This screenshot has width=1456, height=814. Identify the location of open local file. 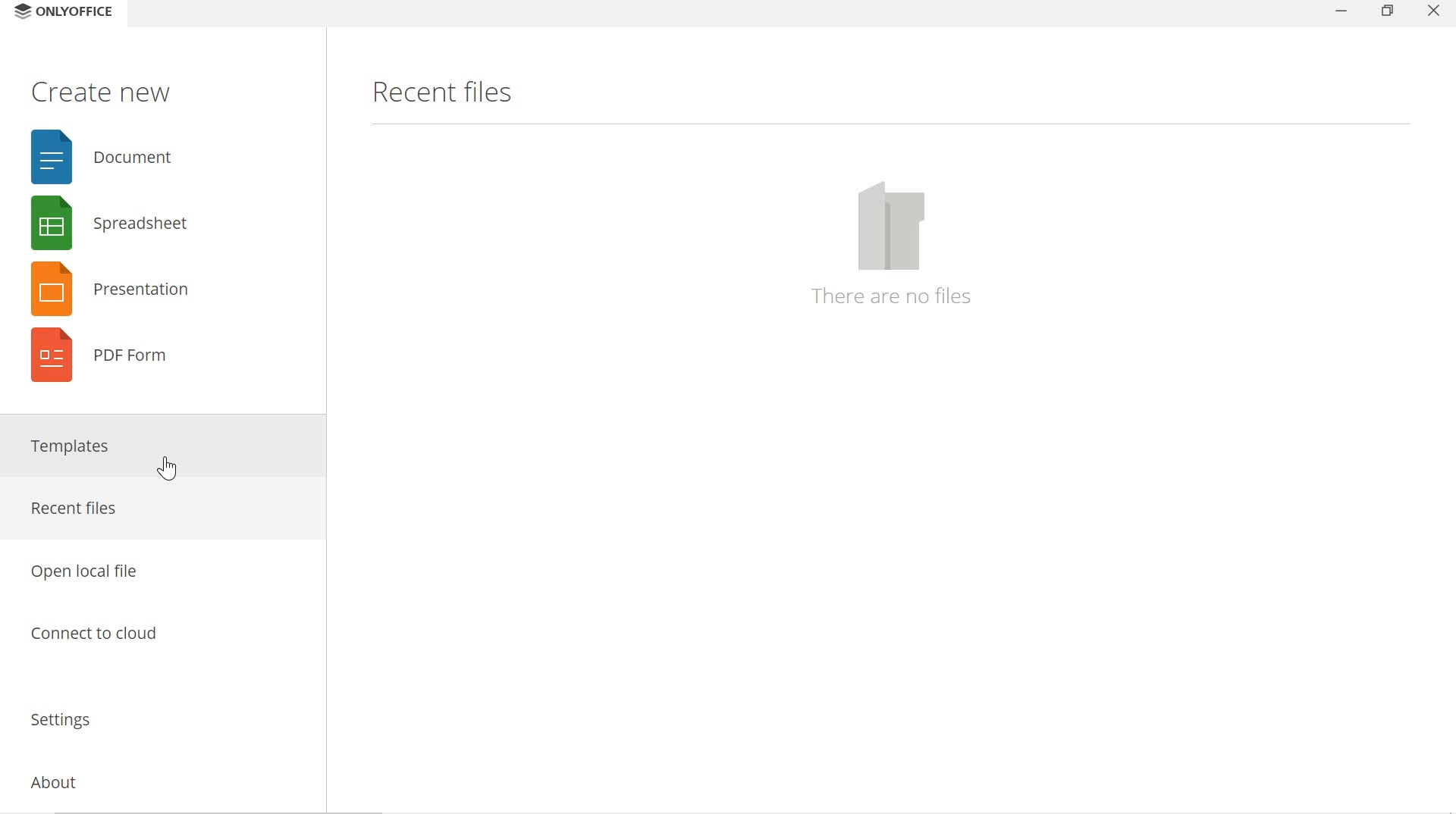
(158, 565).